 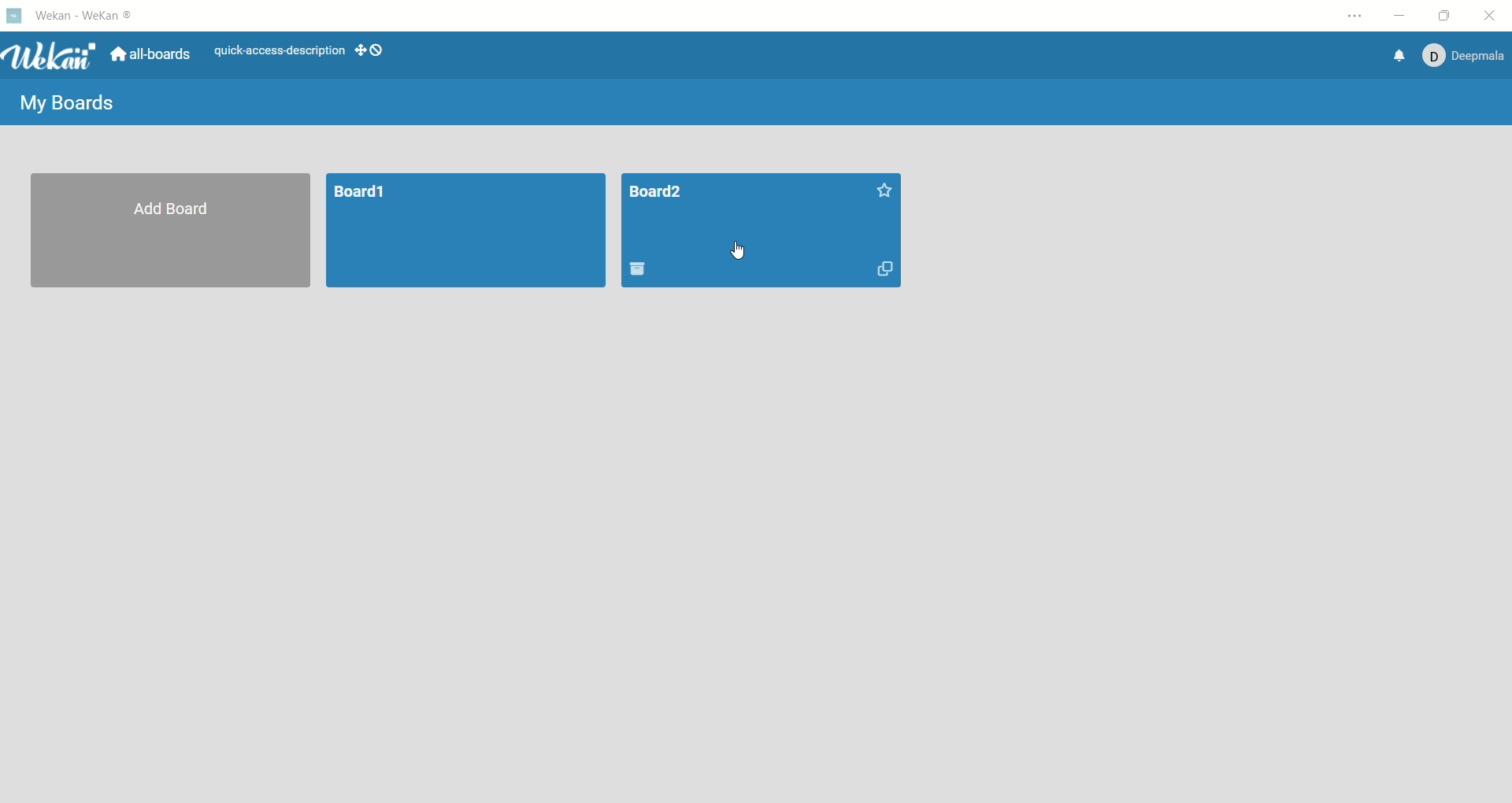 I want to click on duplicate, so click(x=884, y=271).